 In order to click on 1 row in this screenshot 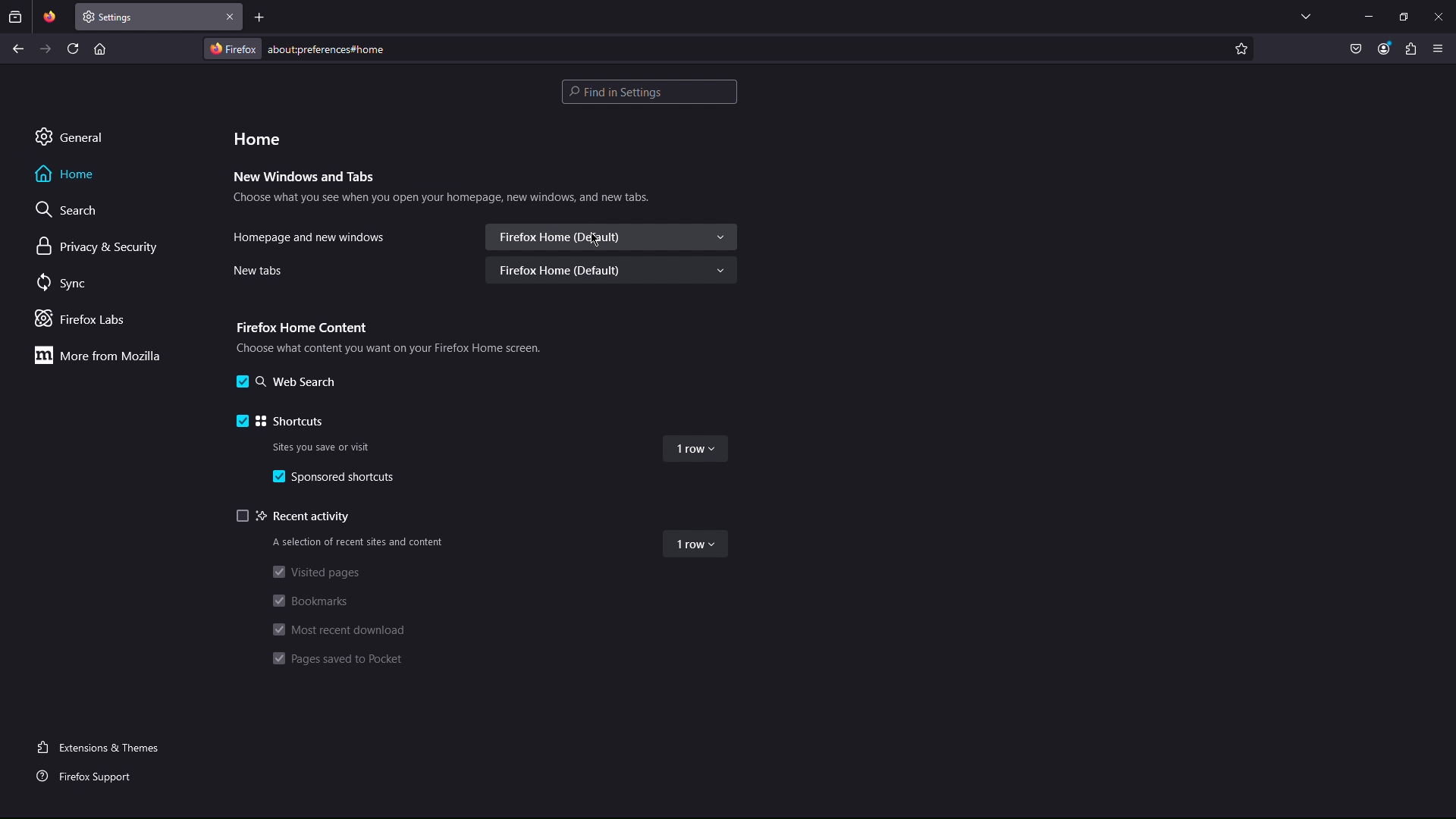, I will do `click(696, 546)`.